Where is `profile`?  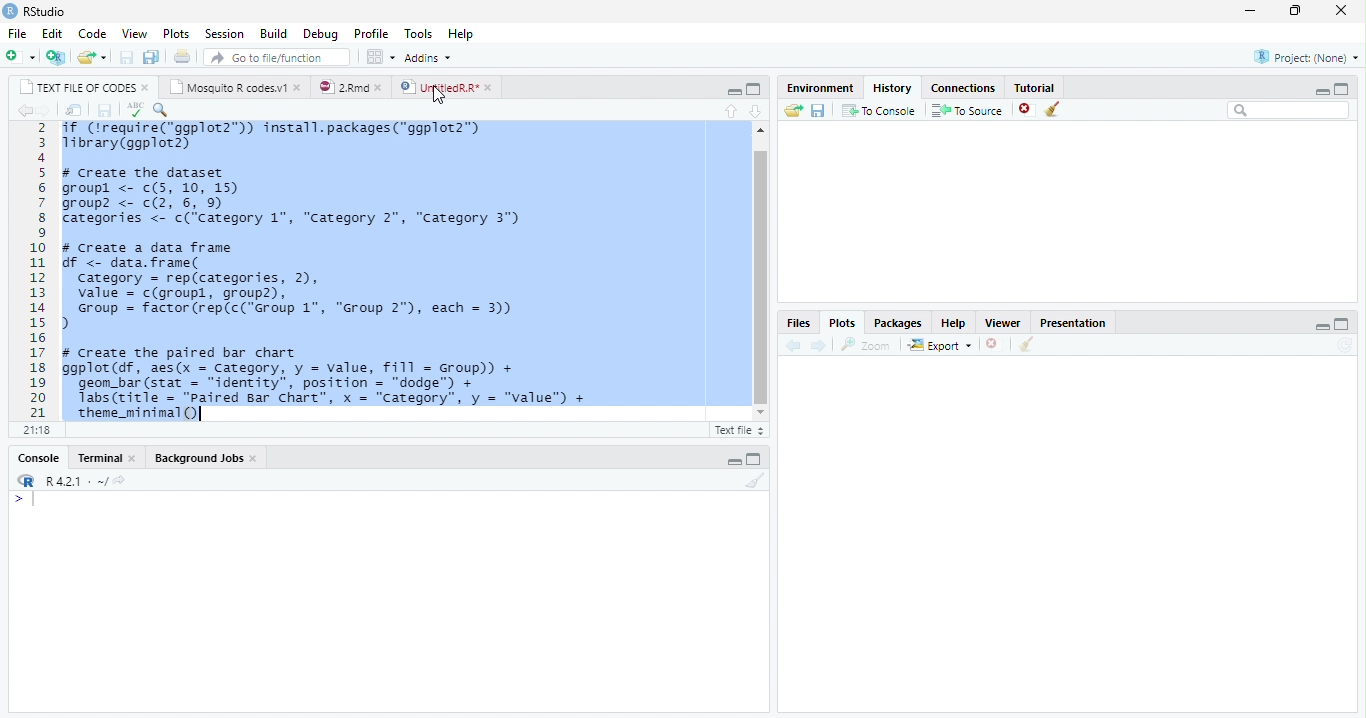 profile is located at coordinates (370, 32).